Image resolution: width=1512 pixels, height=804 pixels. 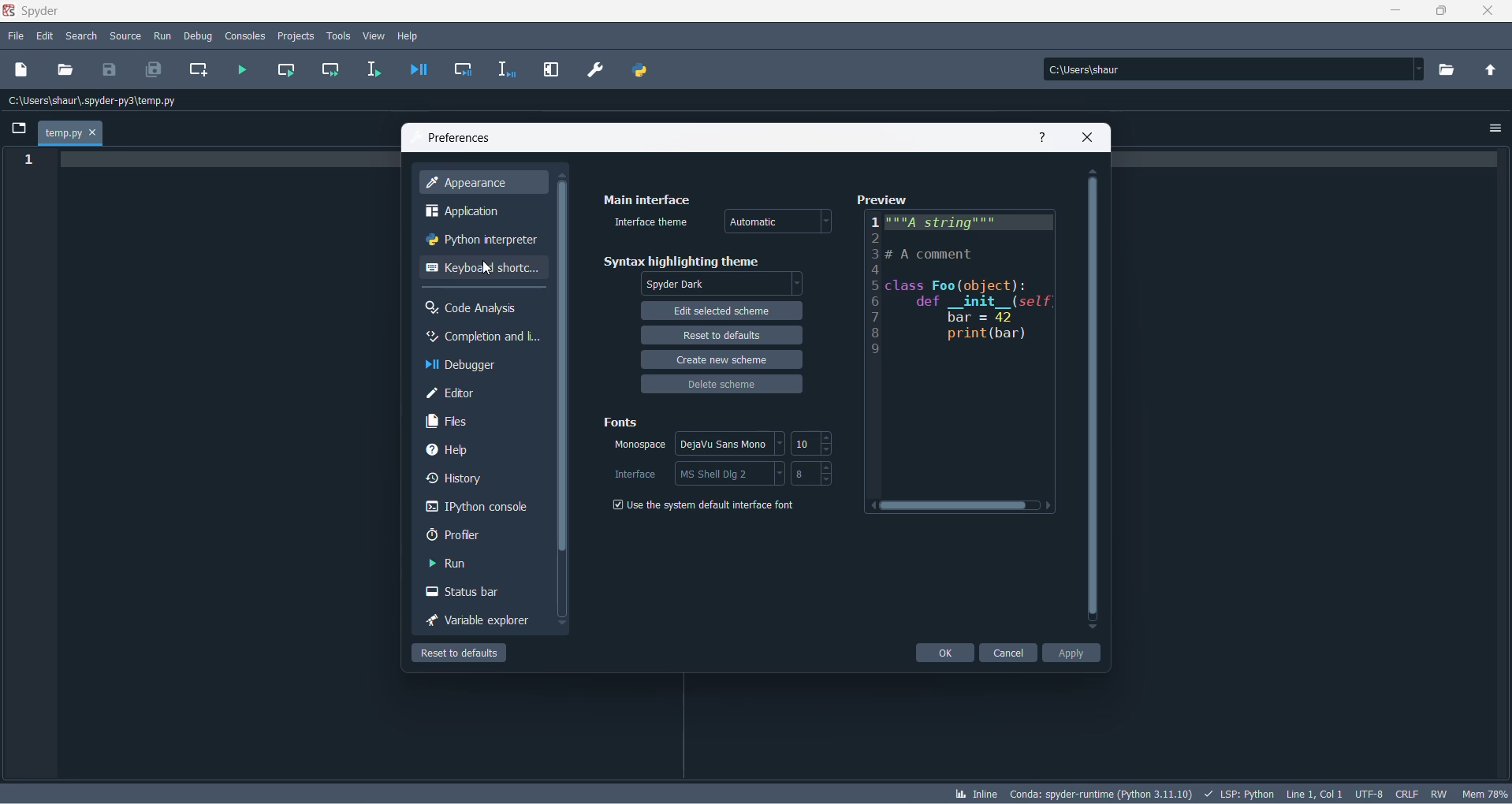 I want to click on projects, so click(x=296, y=35).